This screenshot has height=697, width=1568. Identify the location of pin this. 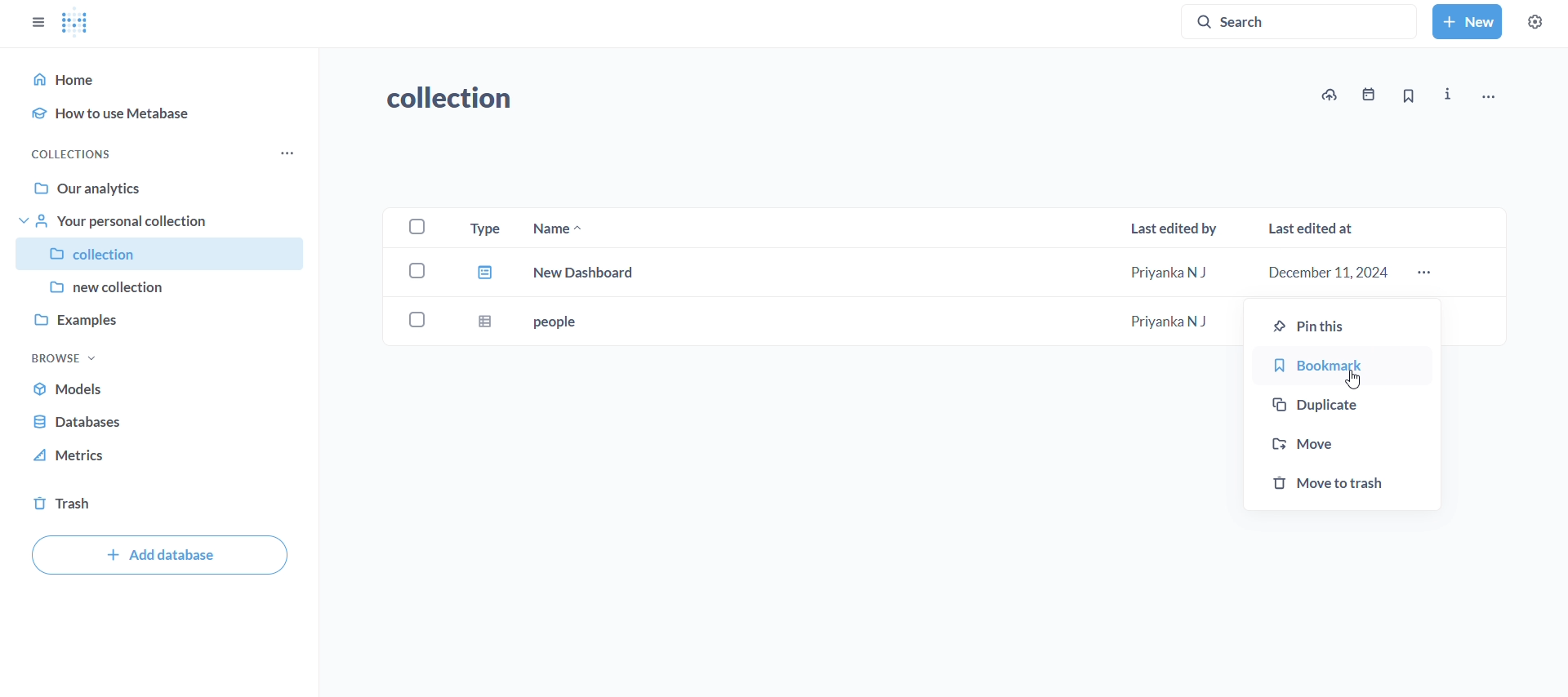
(1339, 326).